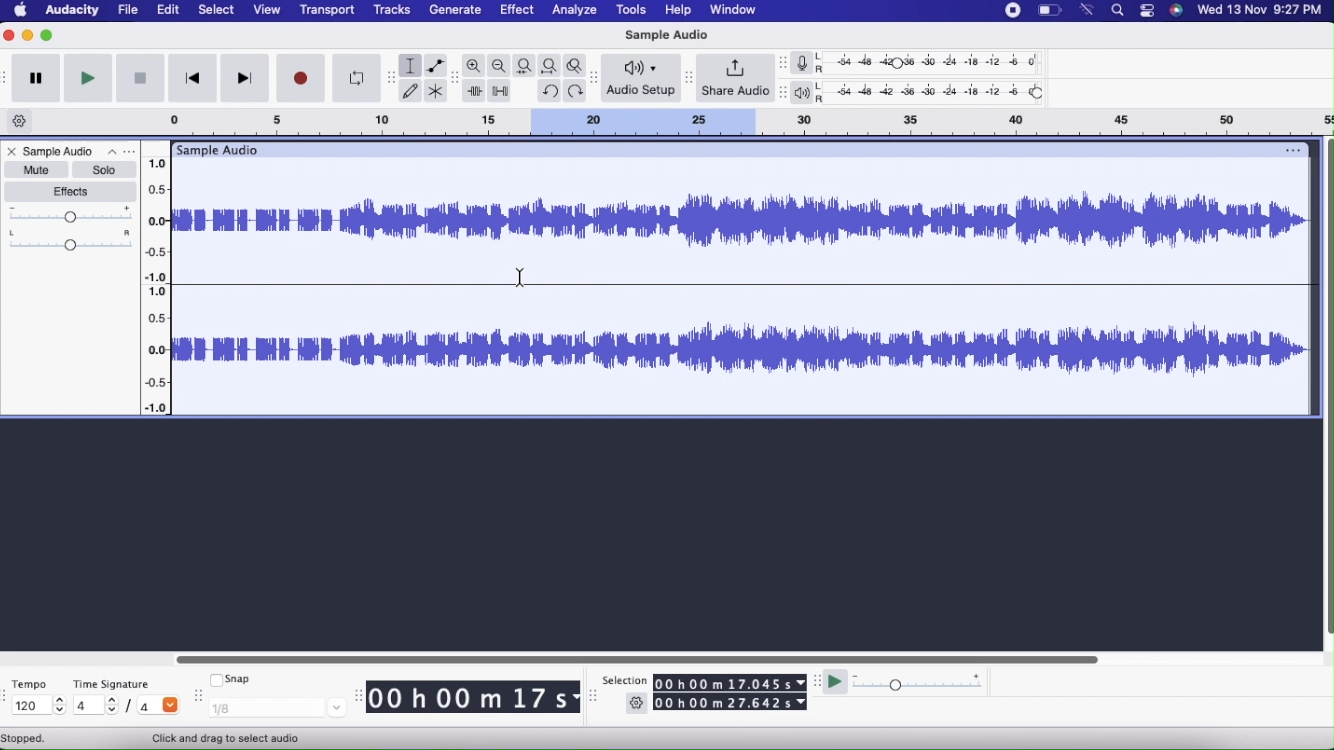 Image resolution: width=1334 pixels, height=750 pixels. Describe the element at coordinates (642, 77) in the screenshot. I see `Audio Setup` at that location.